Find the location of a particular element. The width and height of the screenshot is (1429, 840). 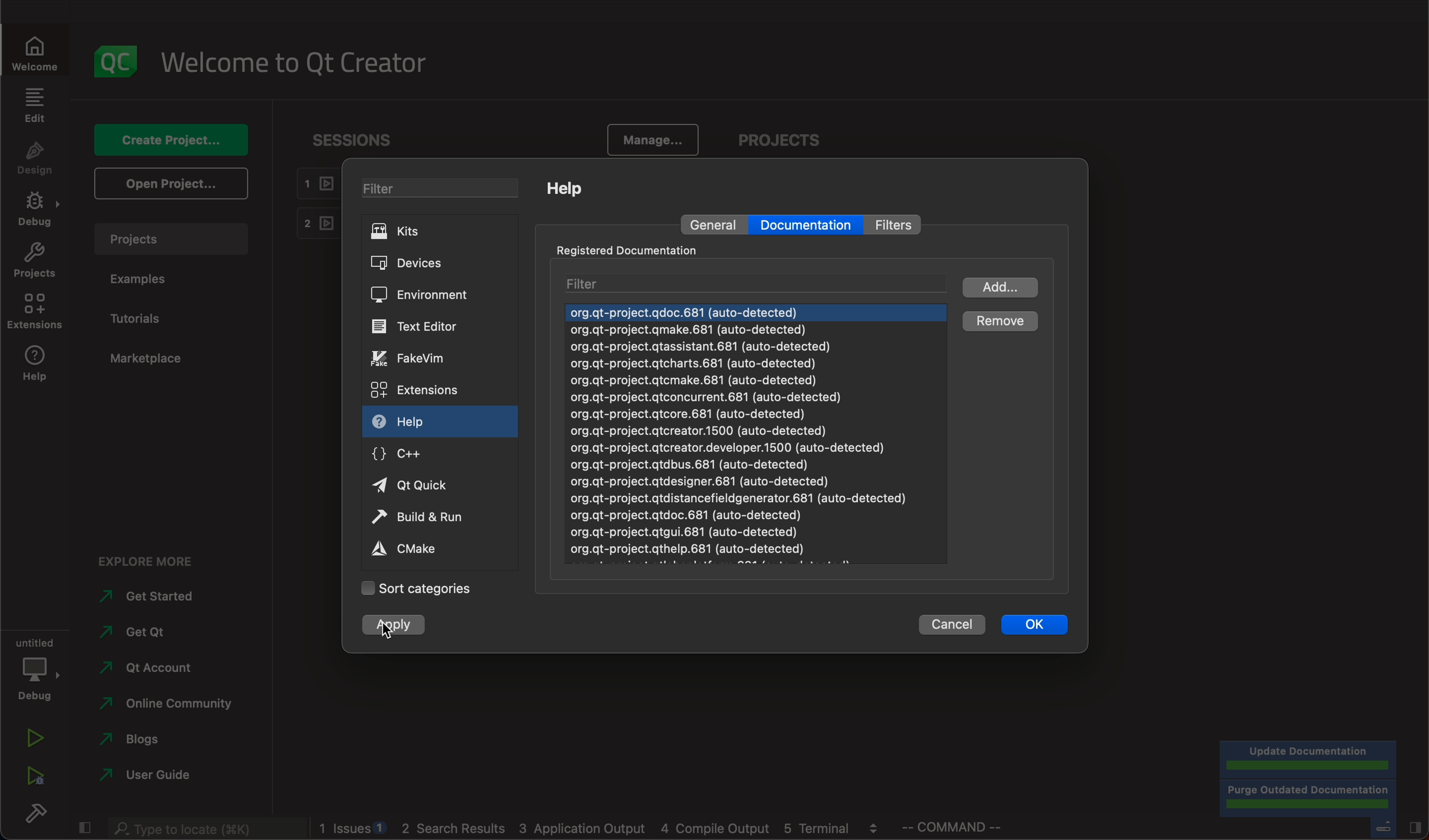

cancel is located at coordinates (938, 624).